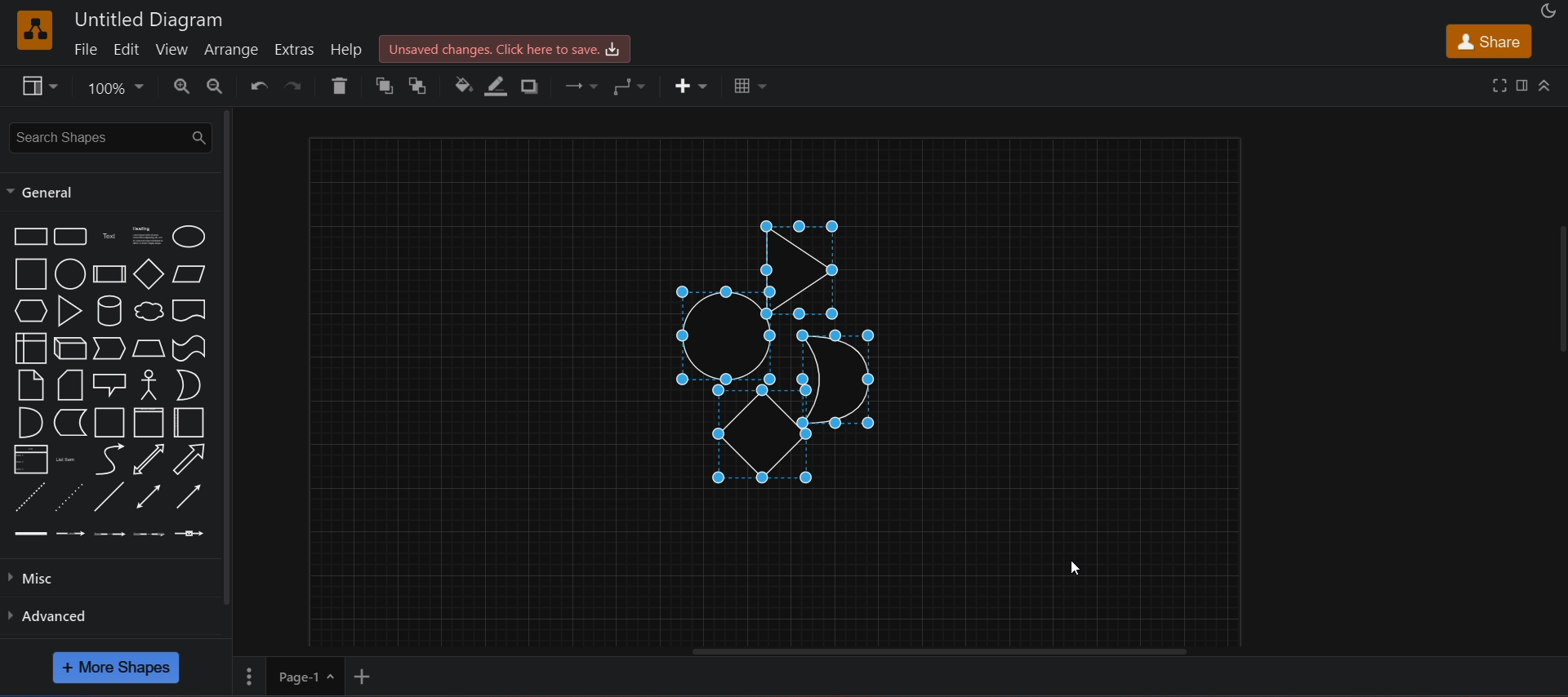 Image resolution: width=1568 pixels, height=697 pixels. I want to click on untitled diagram, so click(150, 18).